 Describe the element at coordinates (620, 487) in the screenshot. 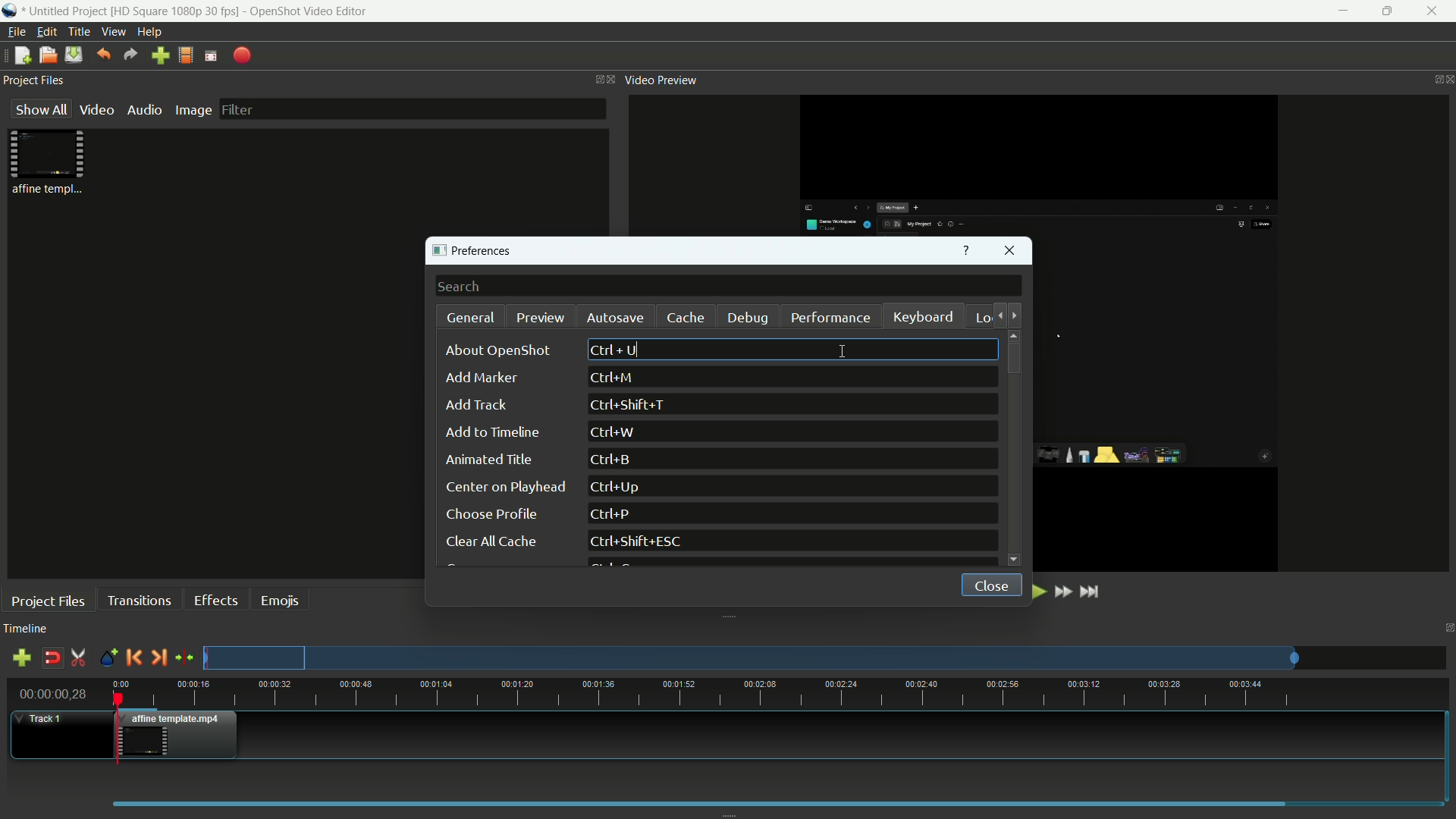

I see `keyboard shortcut` at that location.